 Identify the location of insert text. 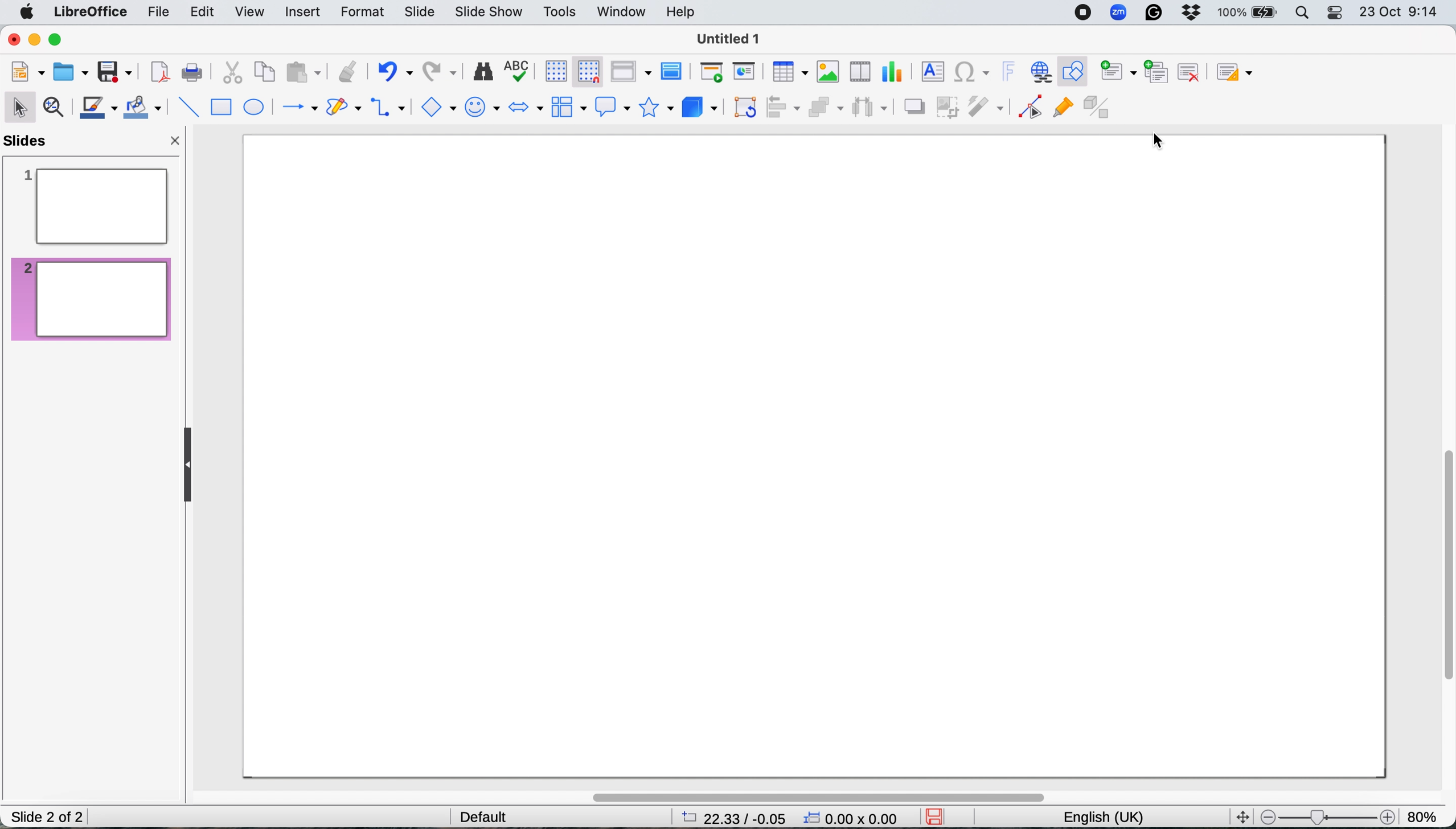
(931, 73).